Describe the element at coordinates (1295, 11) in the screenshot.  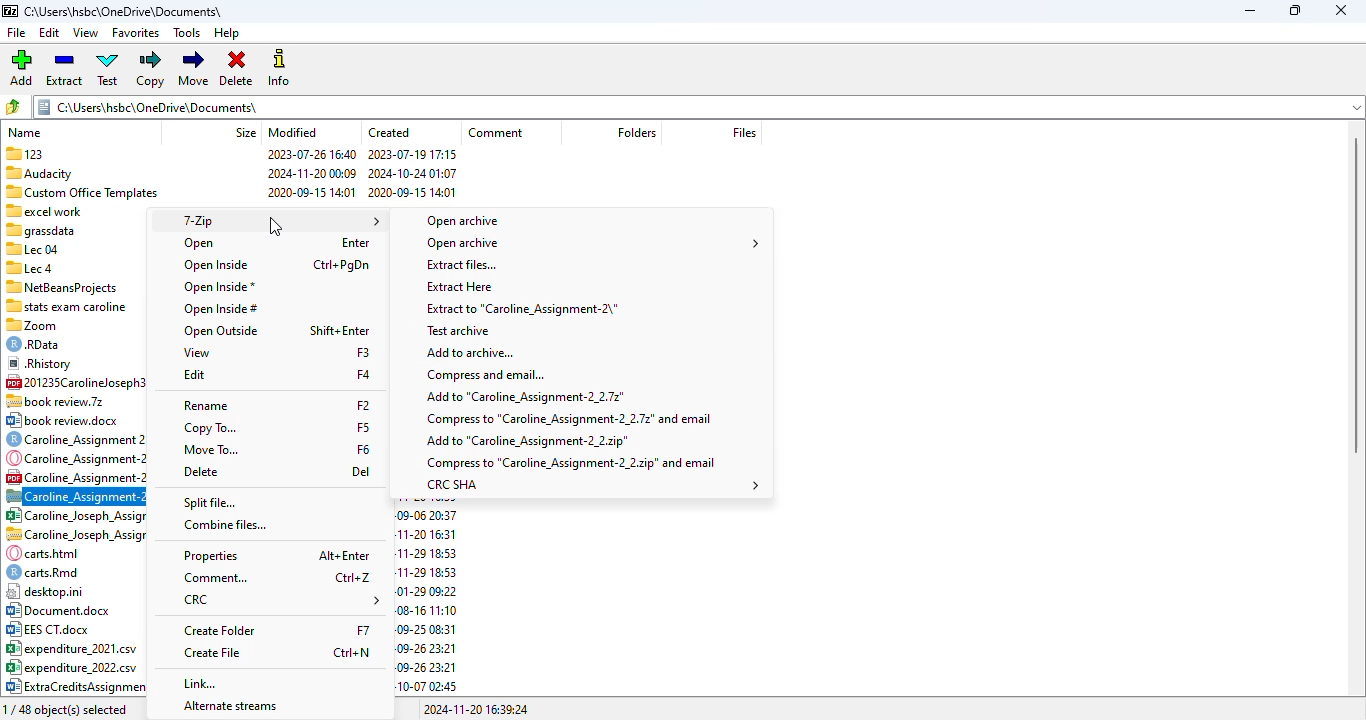
I see `maximize` at that location.